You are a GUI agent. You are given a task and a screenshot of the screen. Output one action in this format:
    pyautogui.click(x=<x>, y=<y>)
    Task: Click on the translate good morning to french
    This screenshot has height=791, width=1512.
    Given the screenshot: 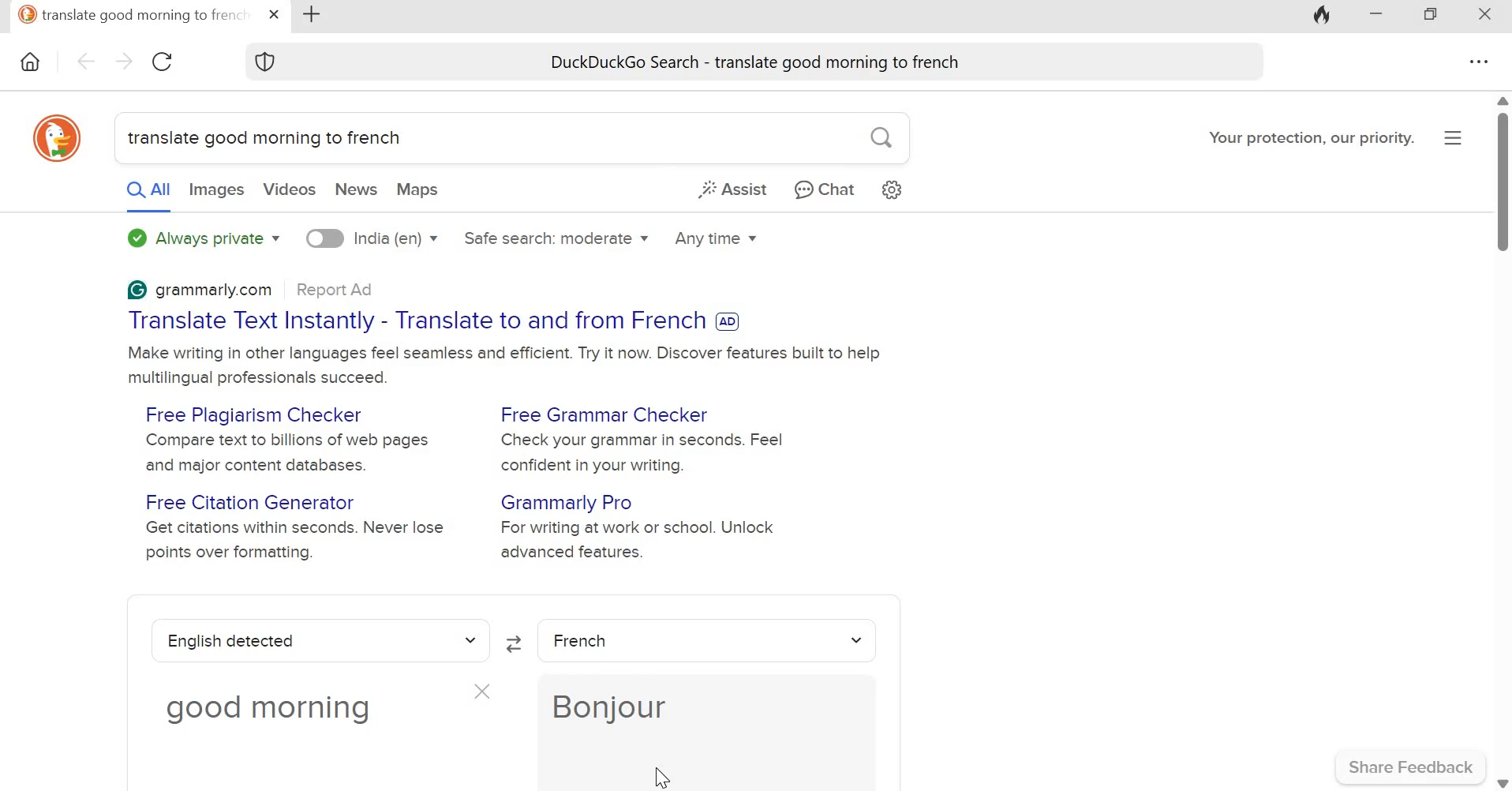 What is the action you would take?
    pyautogui.click(x=129, y=14)
    